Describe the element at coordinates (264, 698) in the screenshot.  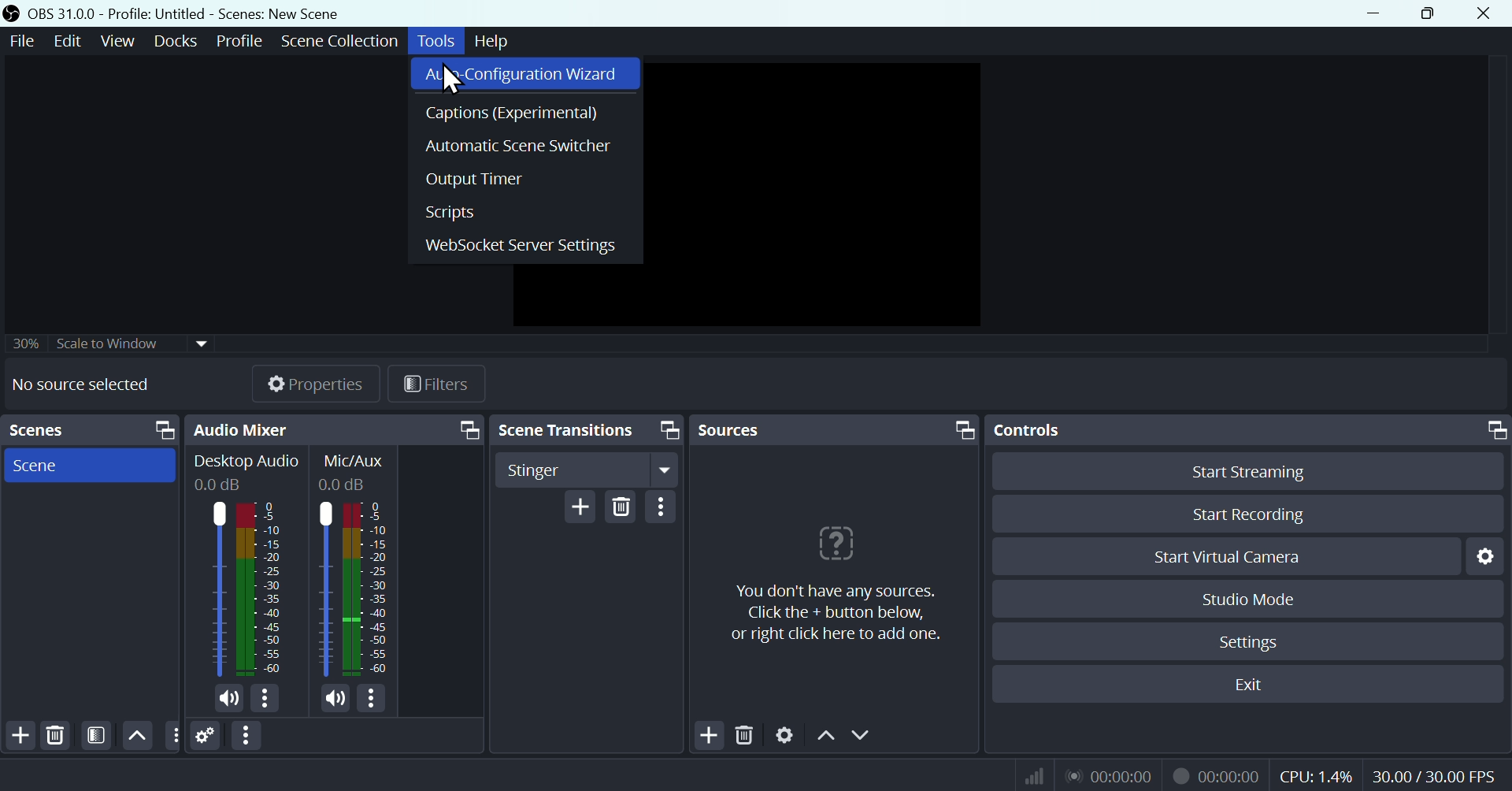
I see `options` at that location.